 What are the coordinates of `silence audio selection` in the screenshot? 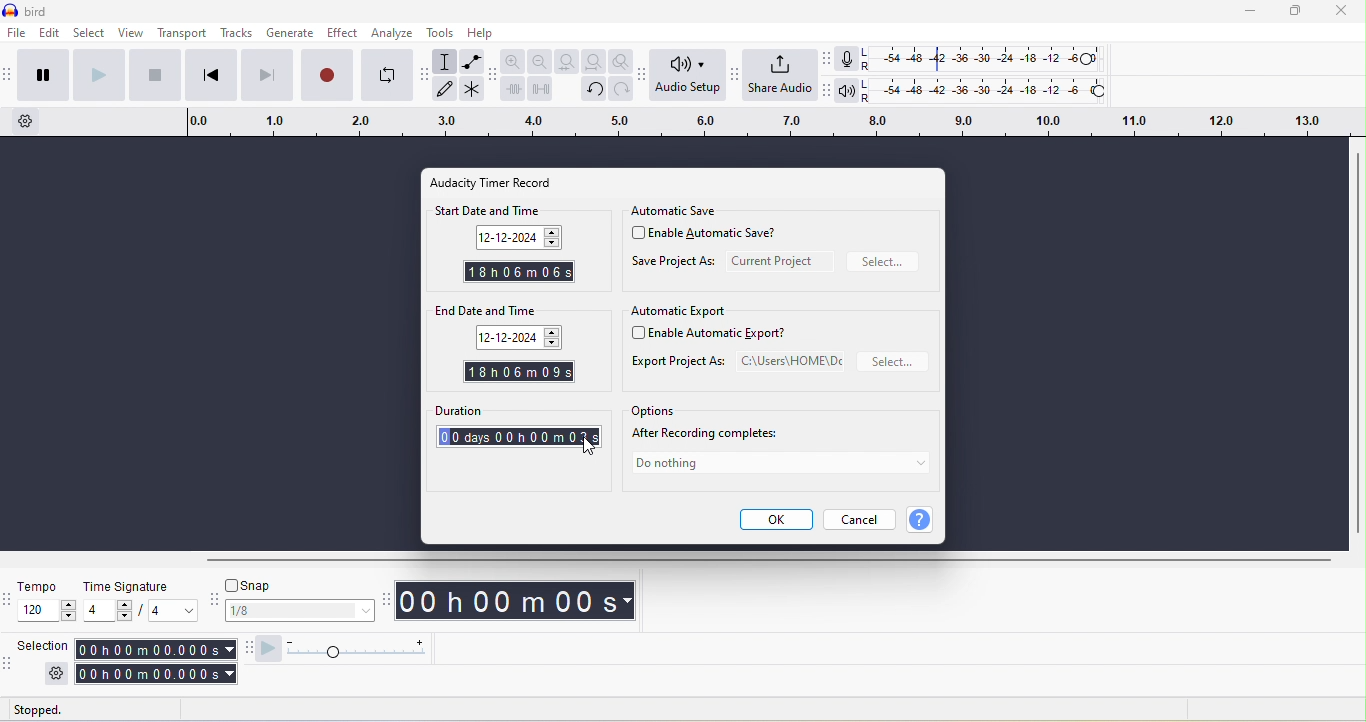 It's located at (539, 90).